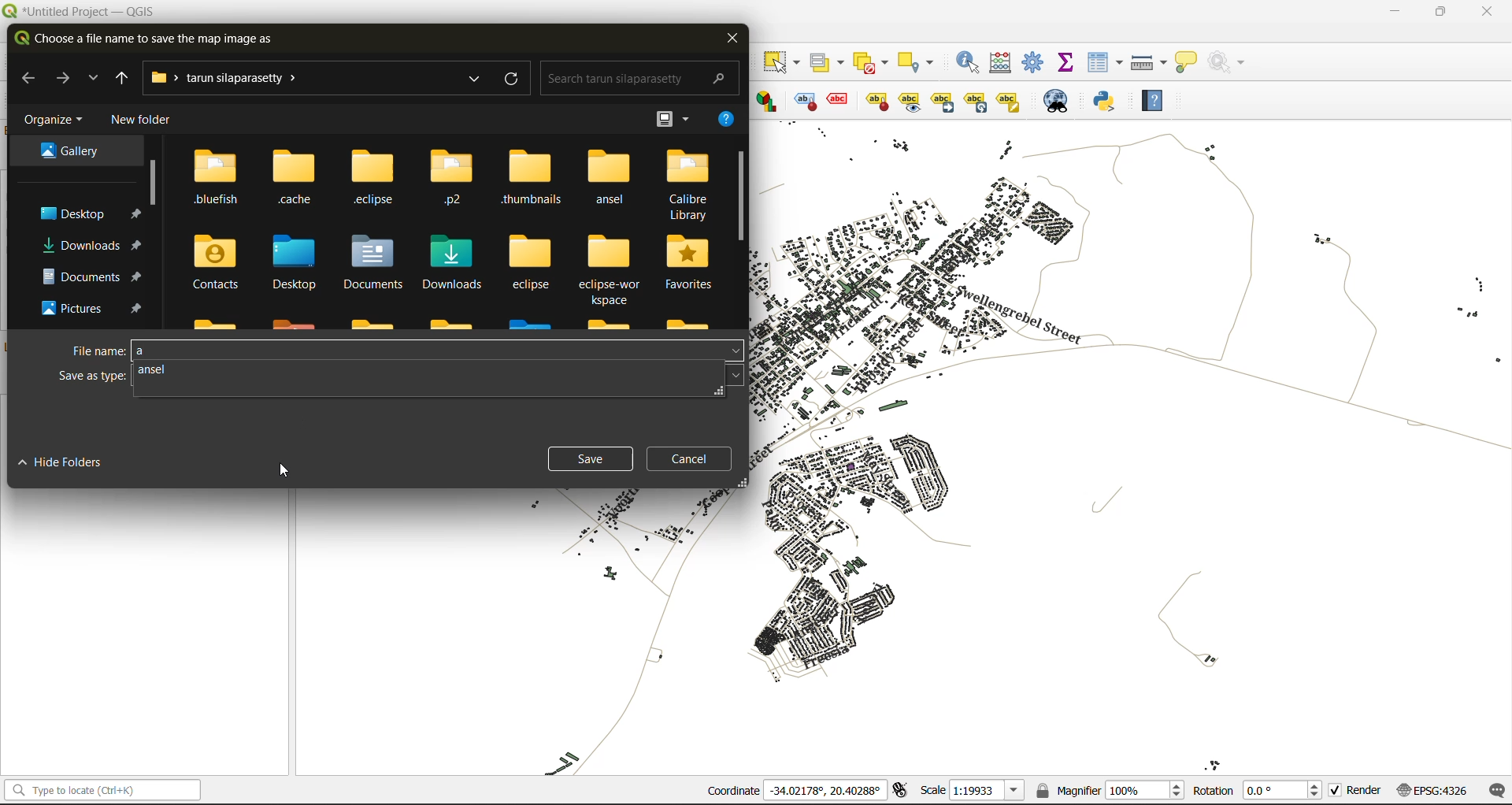  Describe the element at coordinates (147, 40) in the screenshot. I see `choose a file name` at that location.